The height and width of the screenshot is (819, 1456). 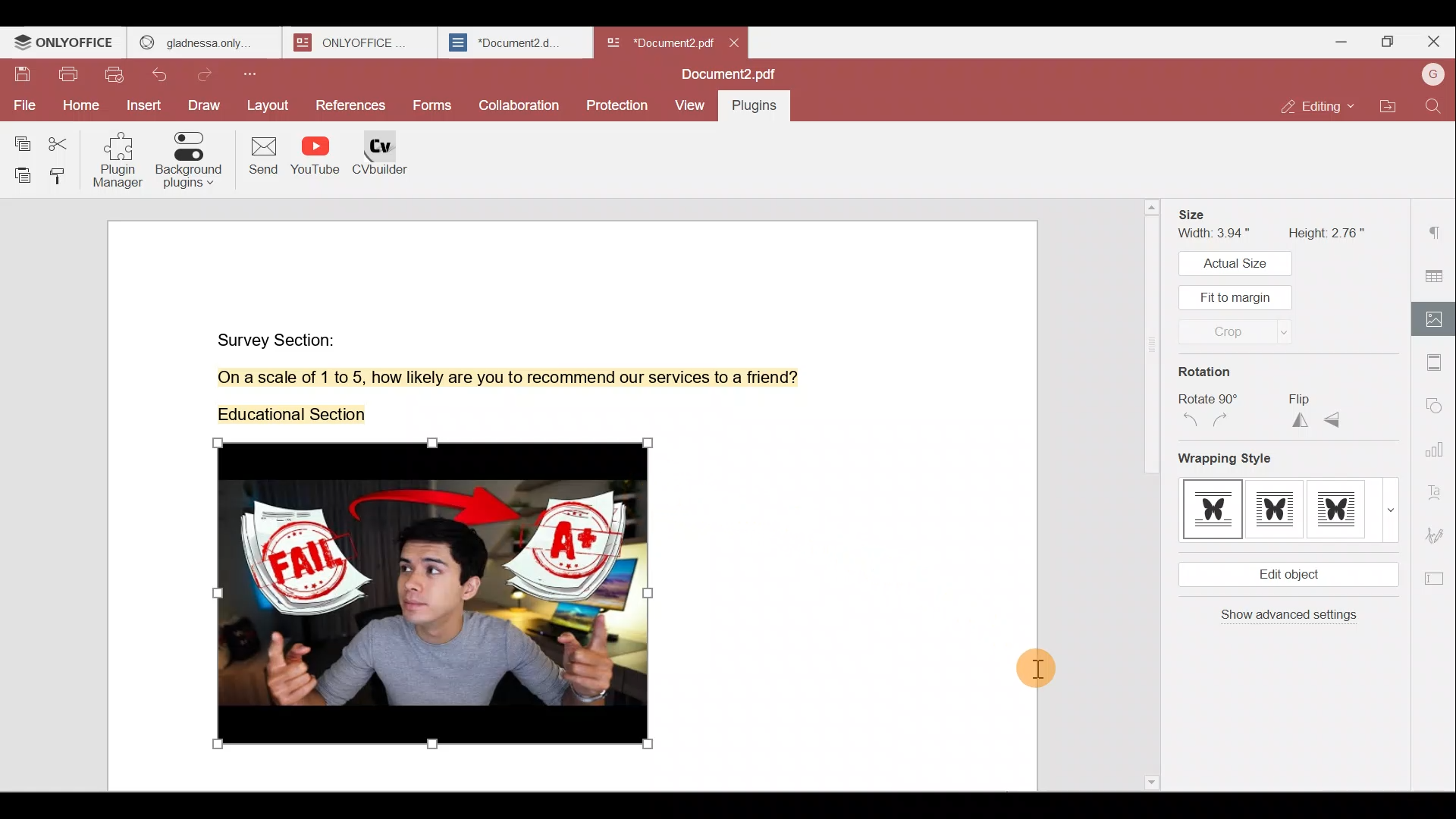 I want to click on Shapes settings, so click(x=1436, y=402).